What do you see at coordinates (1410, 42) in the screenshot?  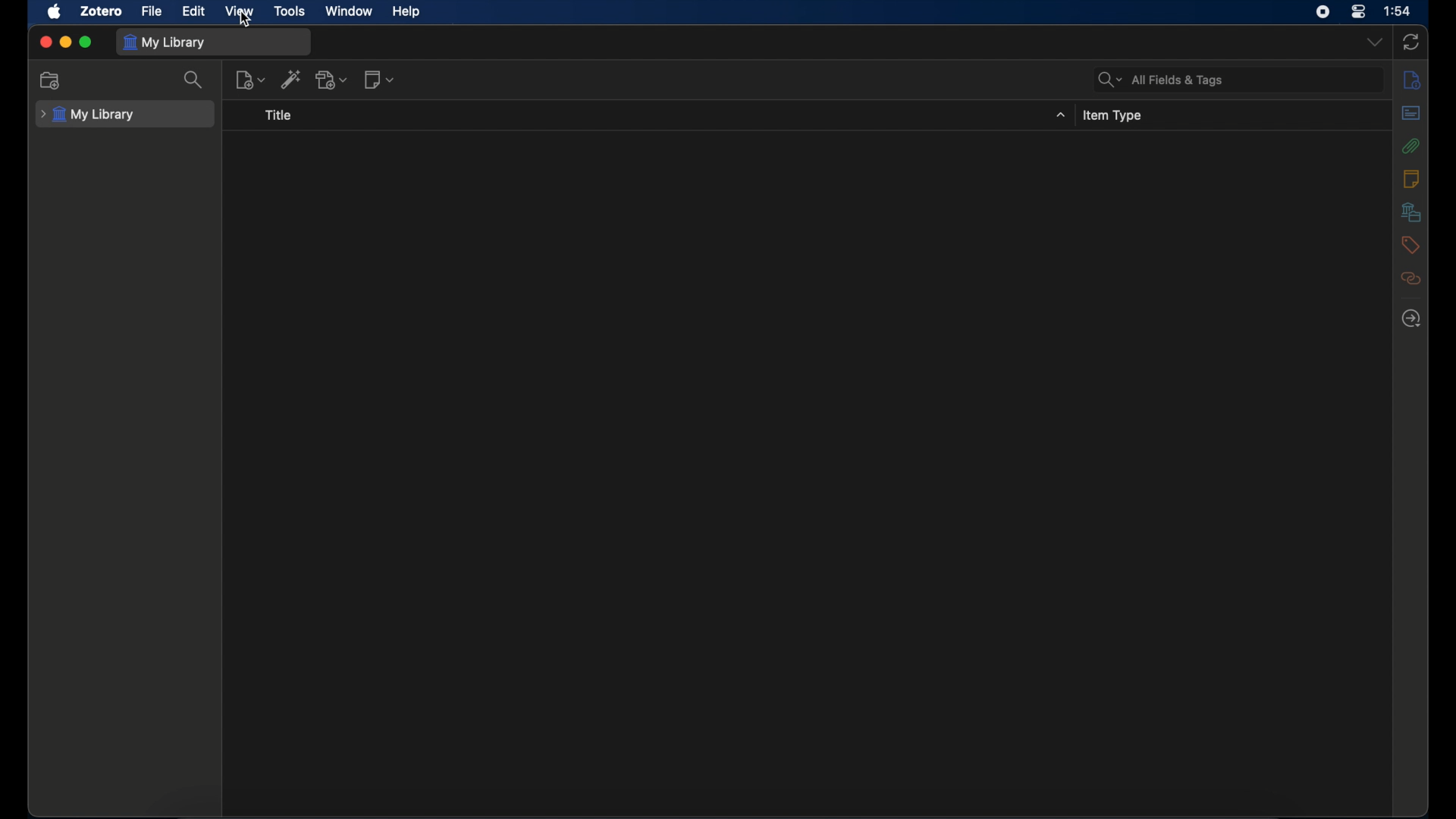 I see `sync` at bounding box center [1410, 42].